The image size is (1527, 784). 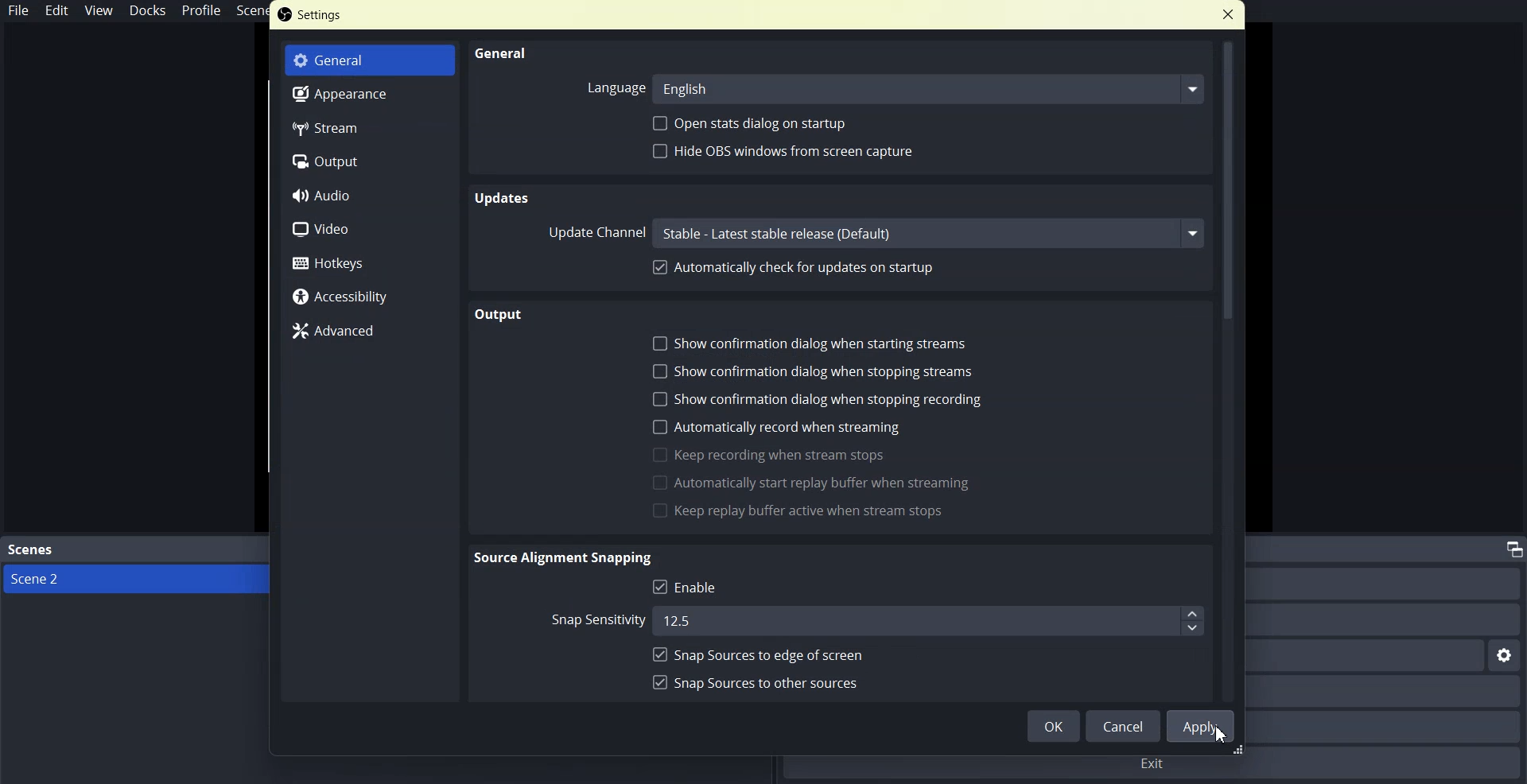 I want to click on Language, so click(x=614, y=86).